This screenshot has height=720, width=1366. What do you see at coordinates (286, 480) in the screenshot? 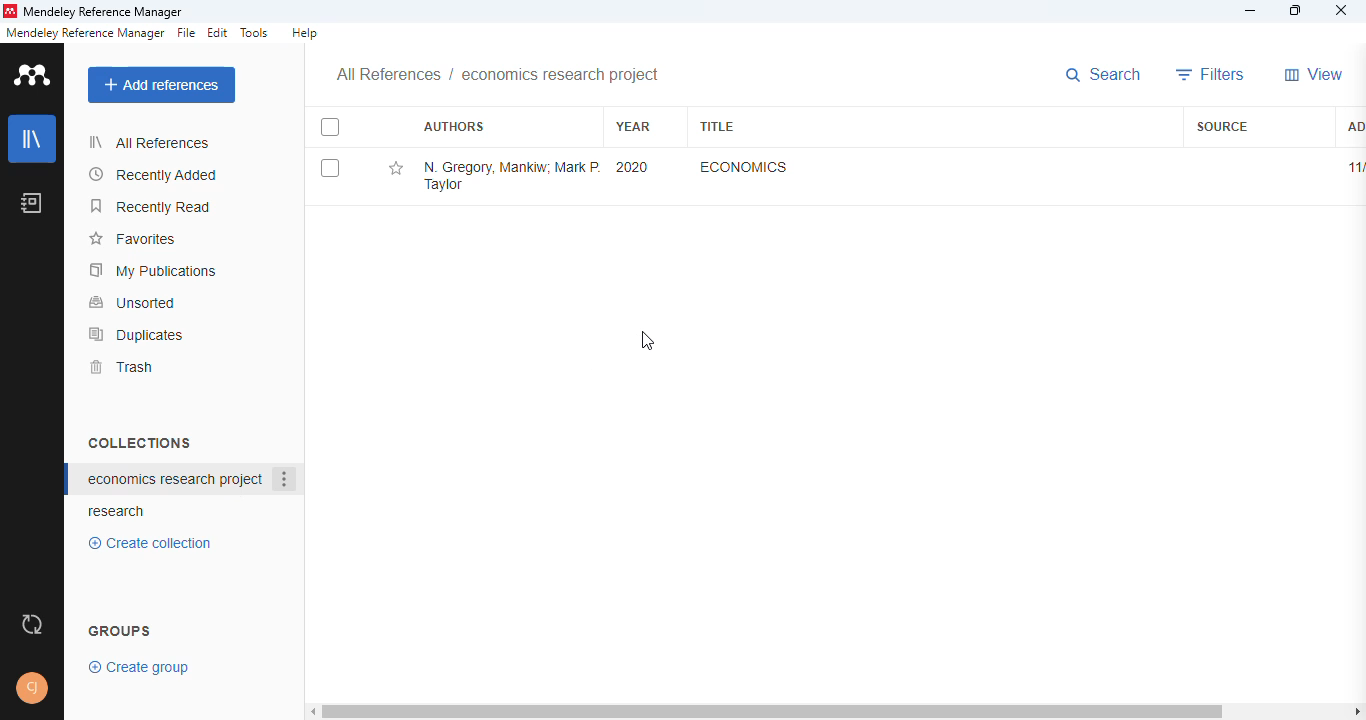
I see `more option` at bounding box center [286, 480].